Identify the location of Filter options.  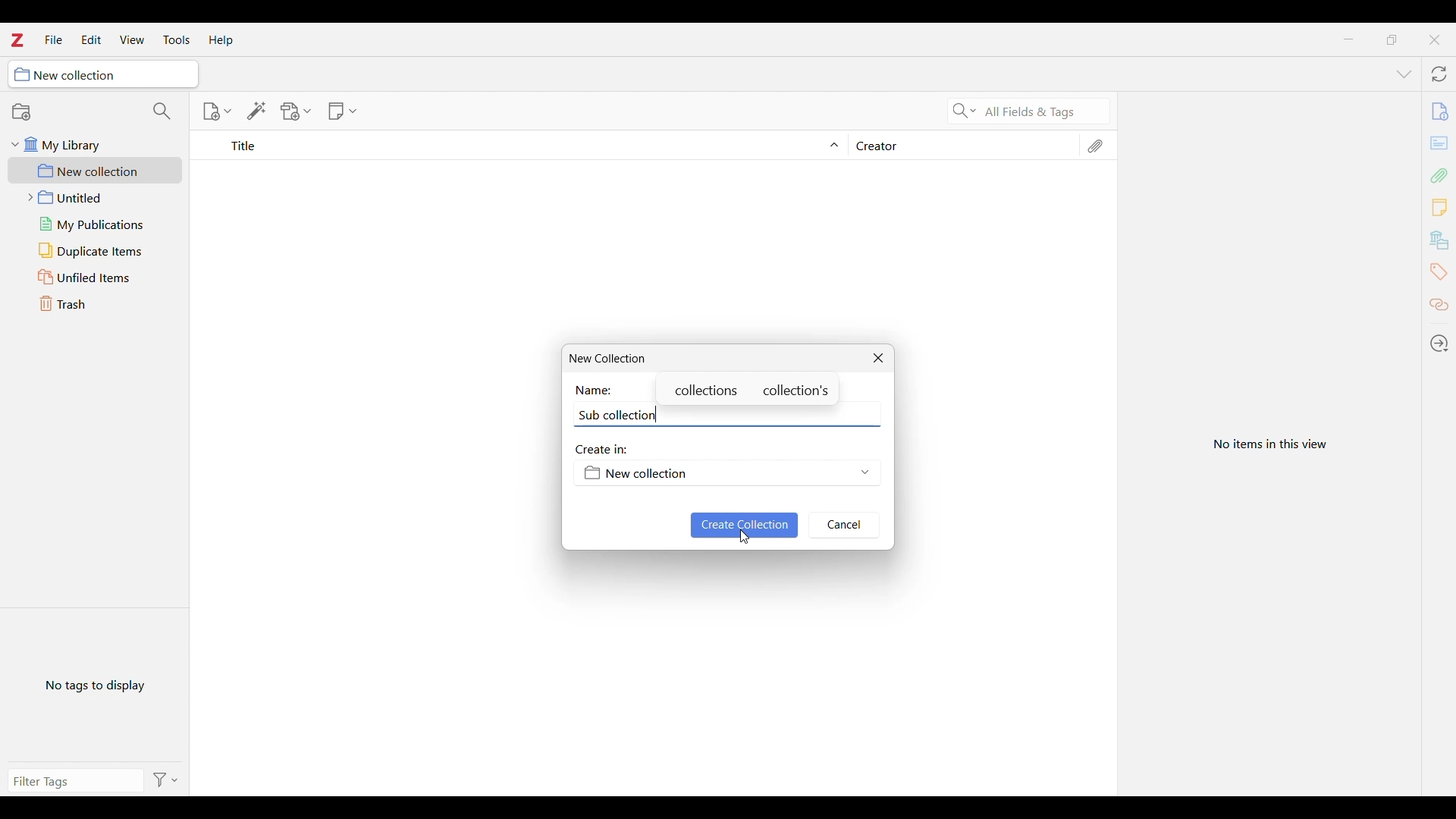
(163, 779).